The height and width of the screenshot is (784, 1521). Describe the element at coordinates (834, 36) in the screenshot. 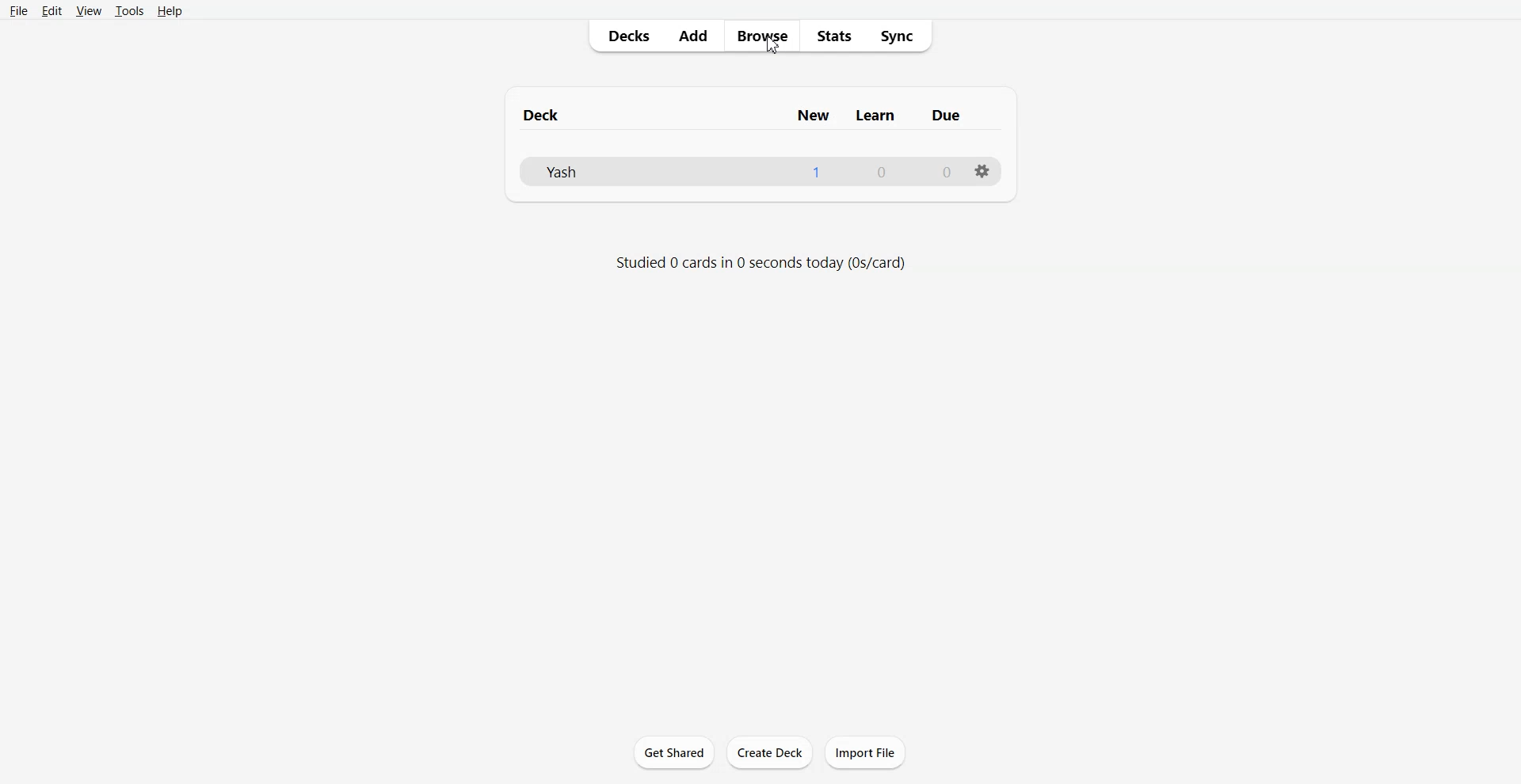

I see `Stats` at that location.